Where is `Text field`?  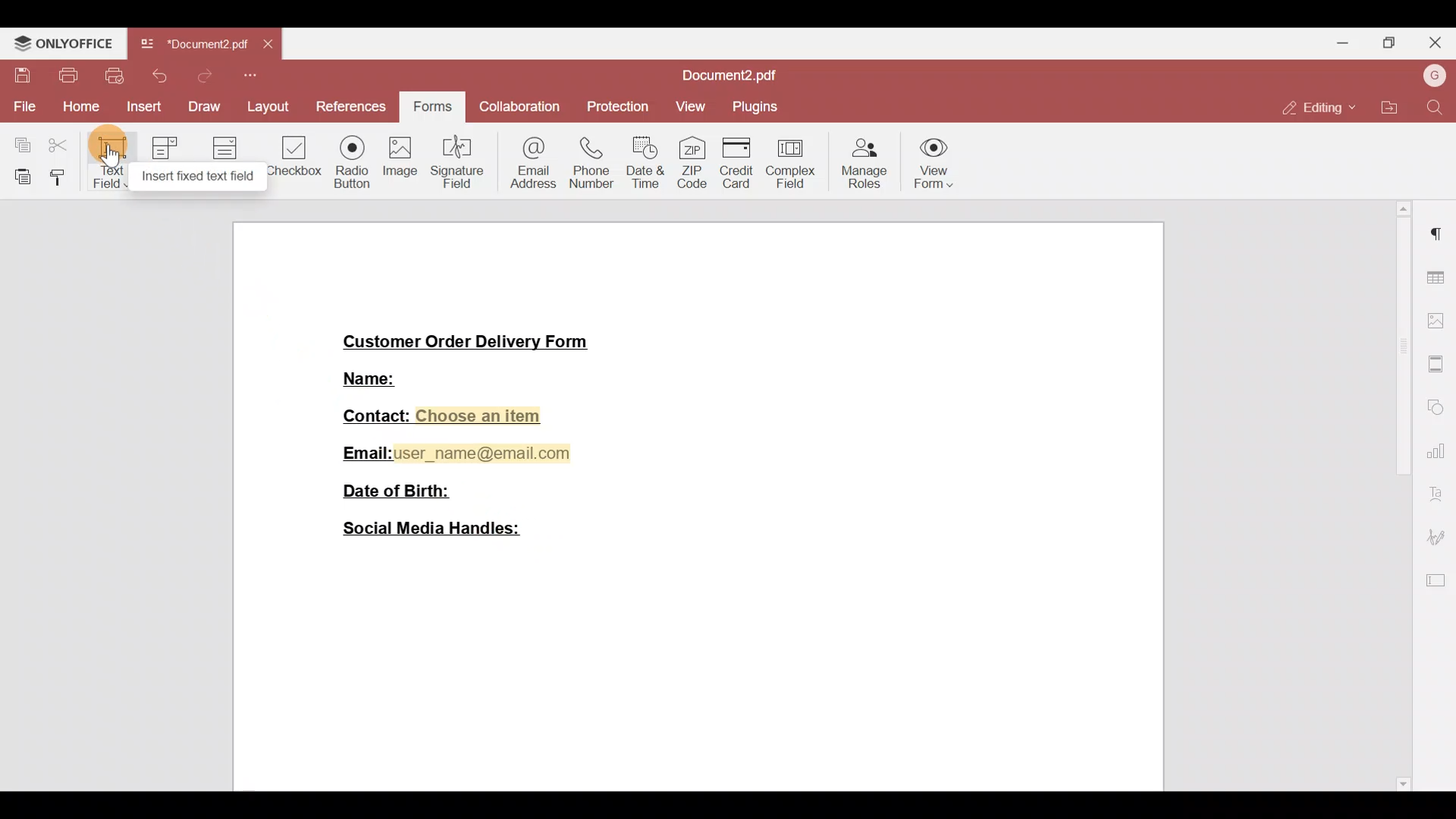 Text field is located at coordinates (107, 164).